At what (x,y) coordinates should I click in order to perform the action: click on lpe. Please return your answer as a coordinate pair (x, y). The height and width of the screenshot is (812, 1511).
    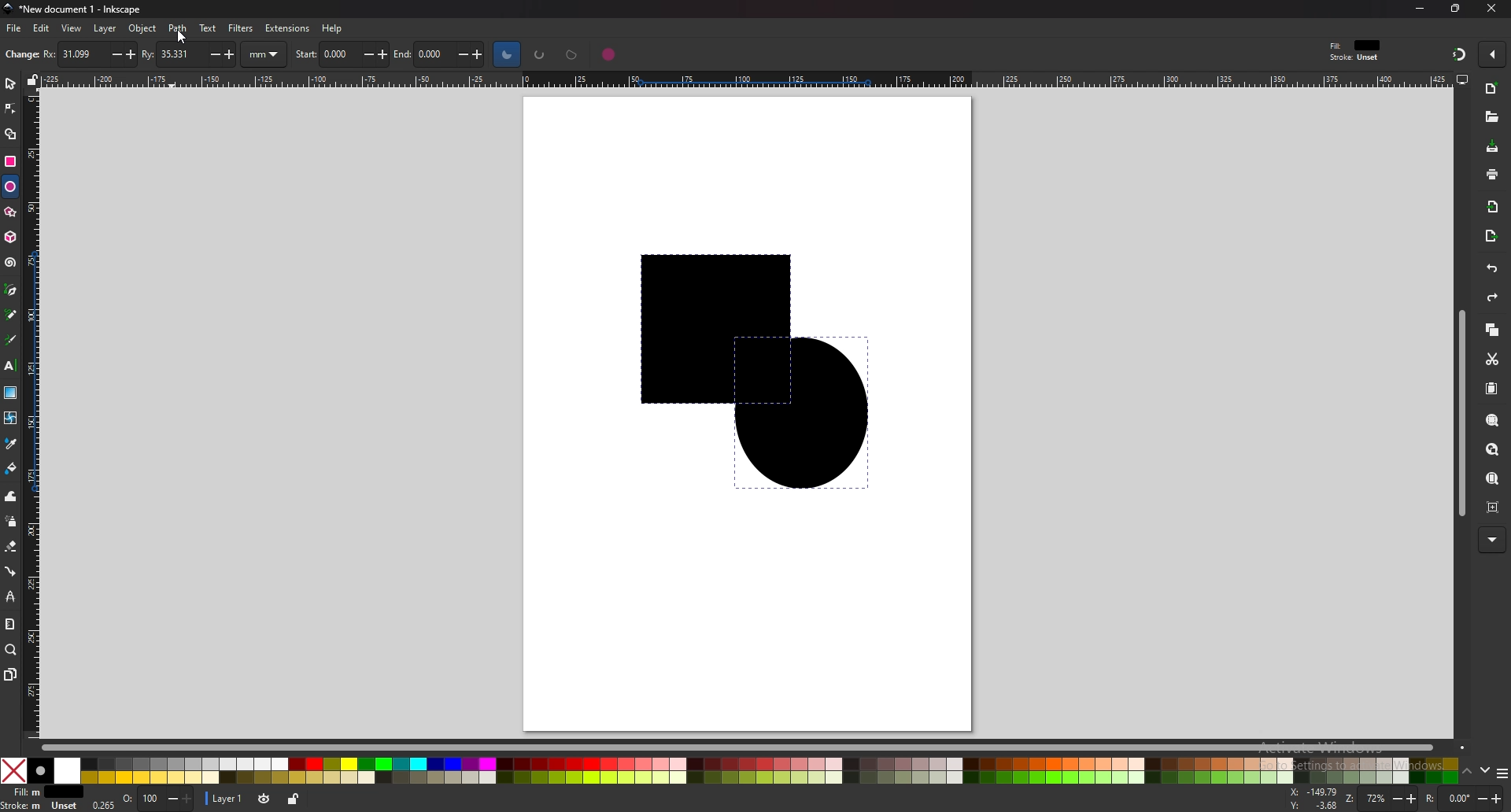
    Looking at the image, I should click on (11, 596).